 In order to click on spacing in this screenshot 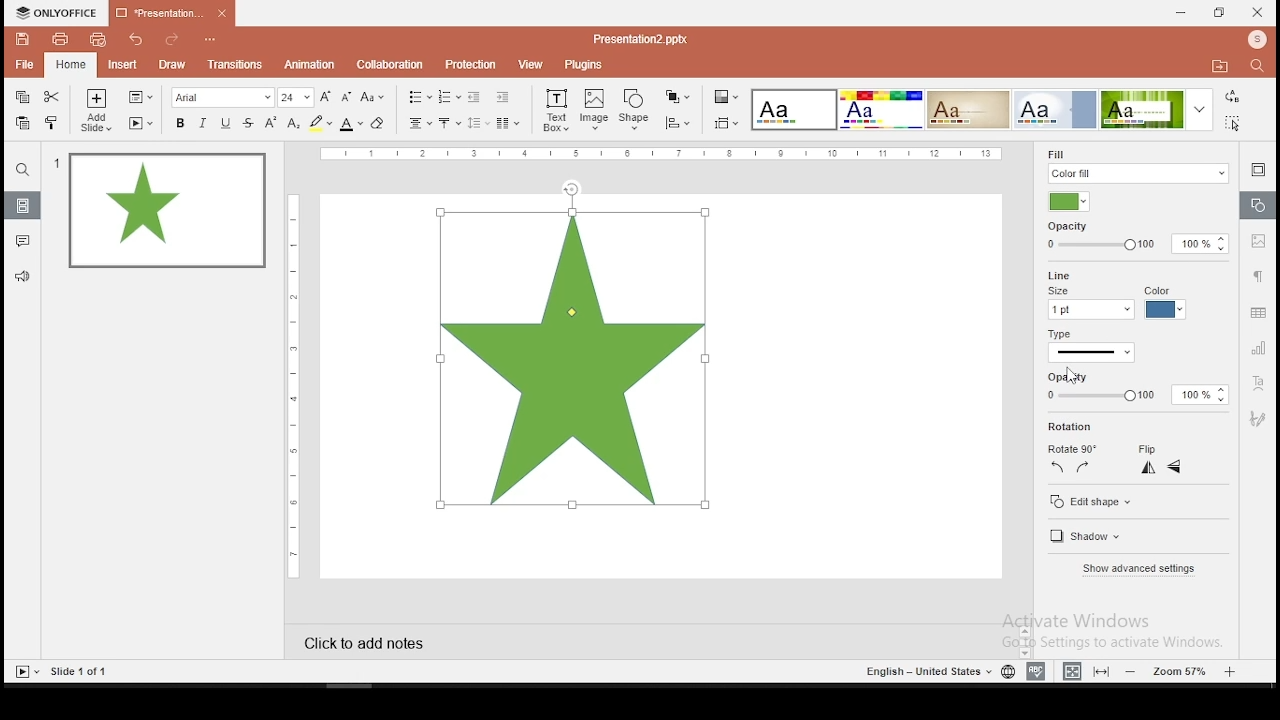, I will do `click(477, 123)`.